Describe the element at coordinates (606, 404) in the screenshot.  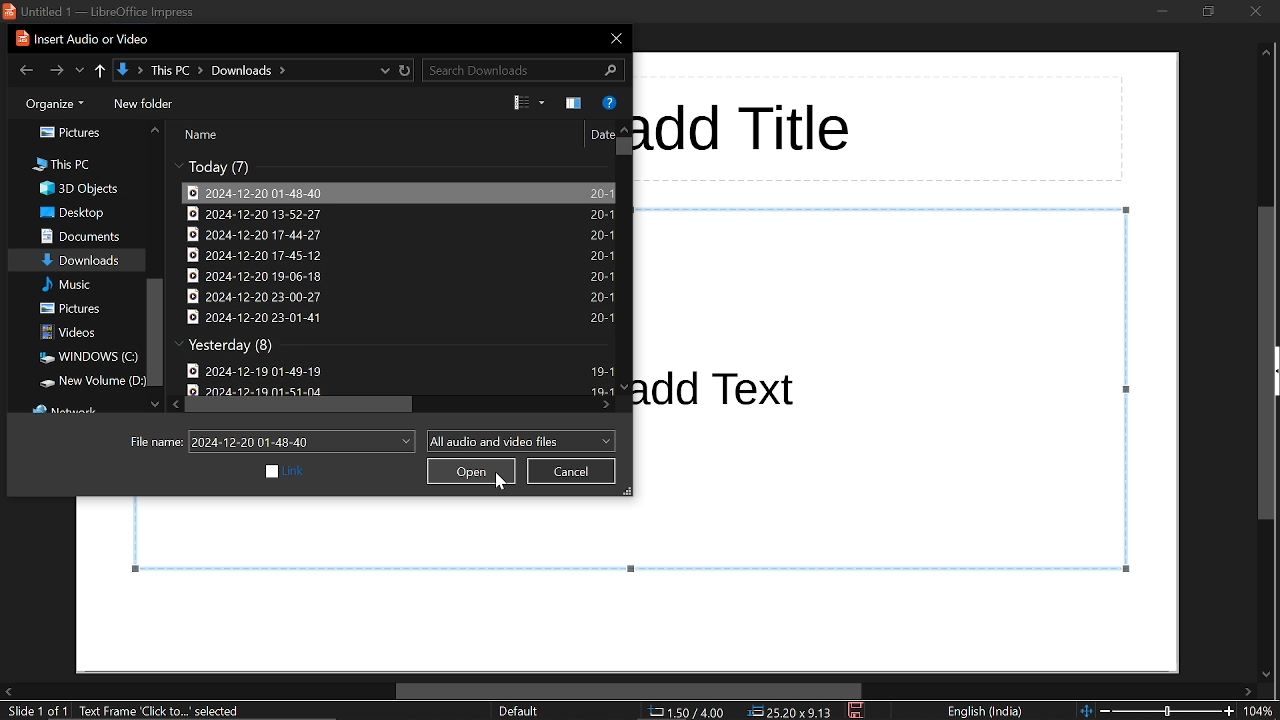
I see `move right` at that location.